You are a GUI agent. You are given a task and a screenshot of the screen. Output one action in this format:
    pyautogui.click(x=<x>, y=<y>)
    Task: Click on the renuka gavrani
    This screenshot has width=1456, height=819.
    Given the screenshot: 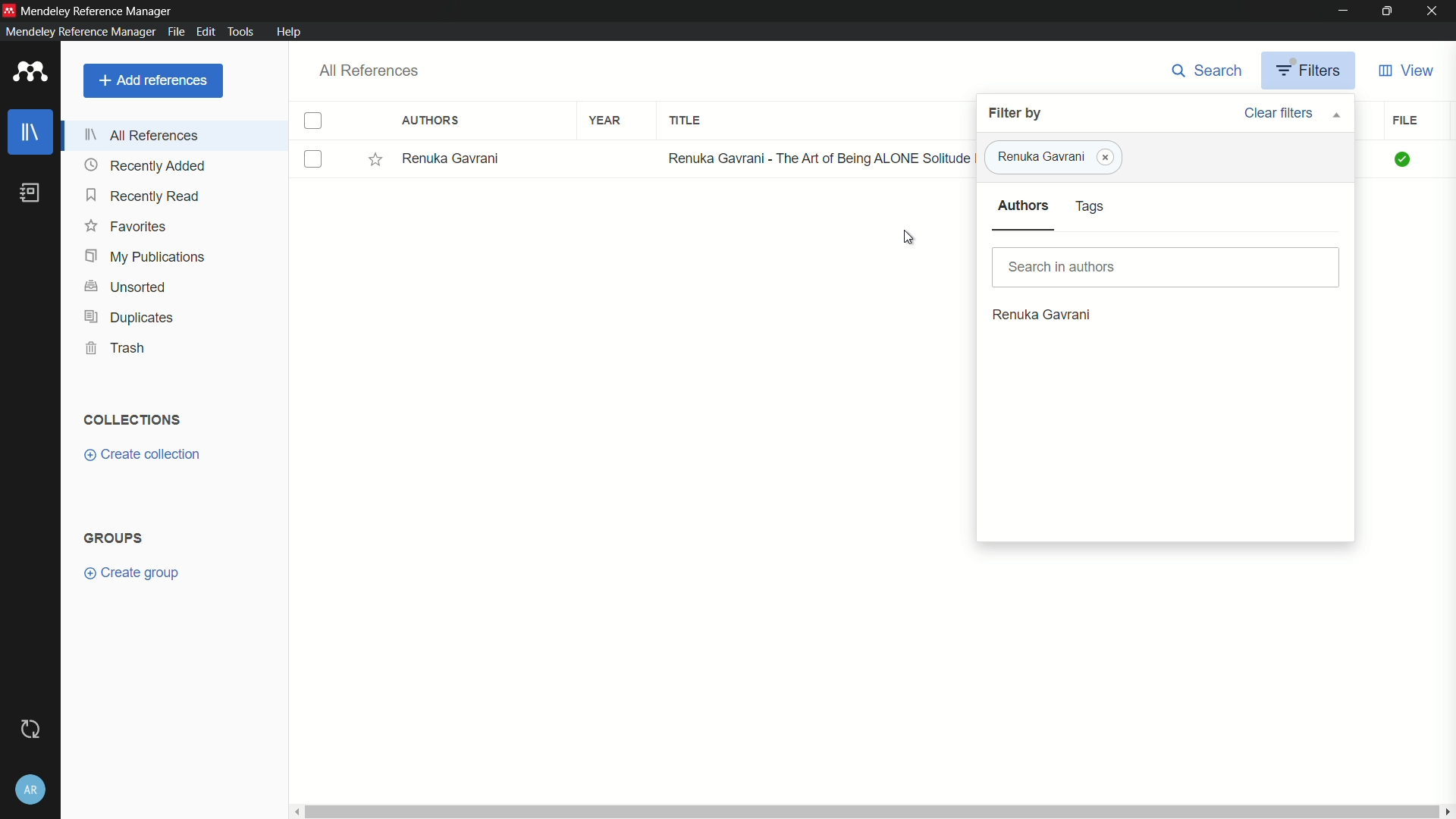 What is the action you would take?
    pyautogui.click(x=1041, y=314)
    